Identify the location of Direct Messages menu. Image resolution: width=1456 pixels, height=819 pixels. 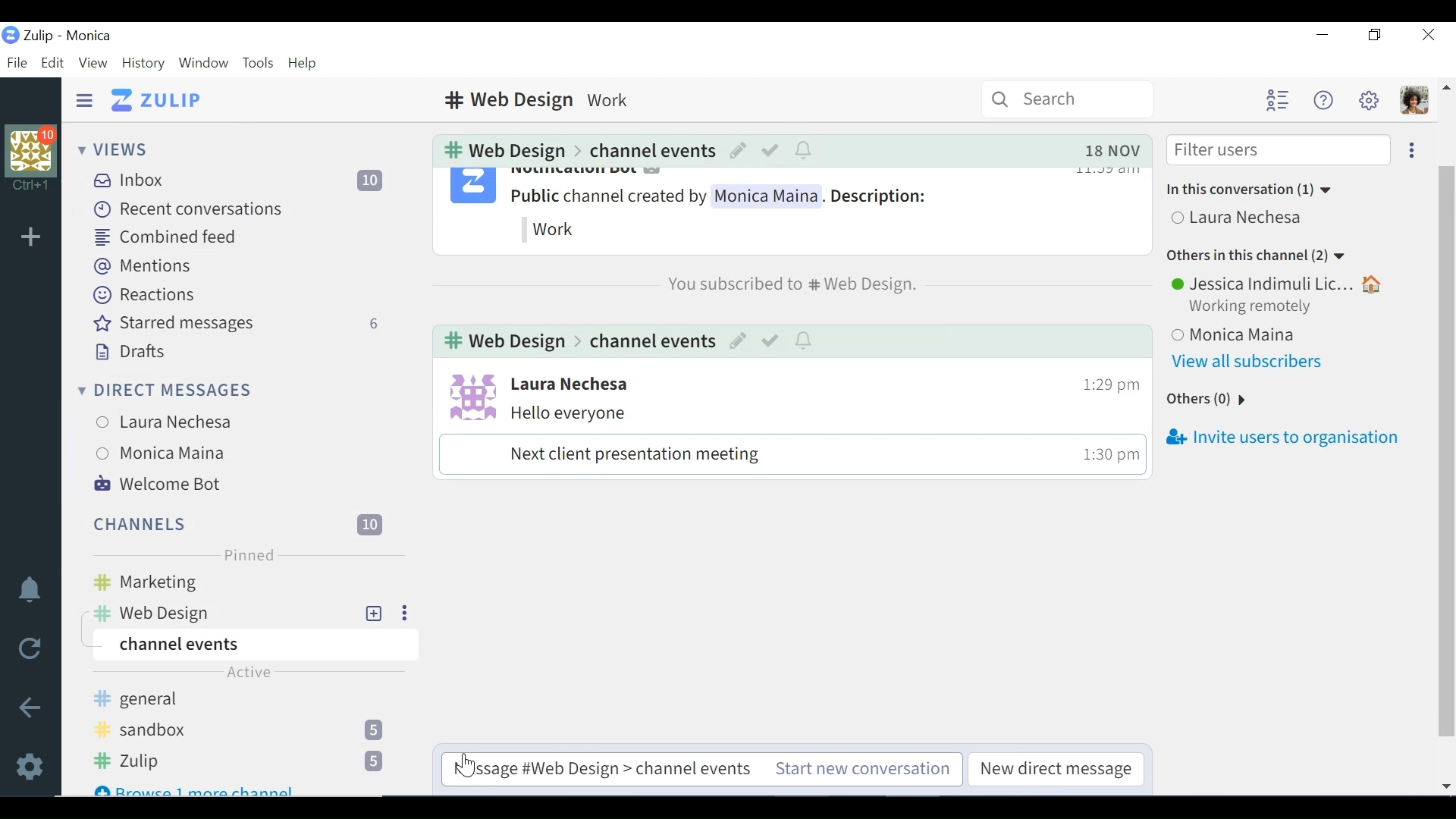
(165, 388).